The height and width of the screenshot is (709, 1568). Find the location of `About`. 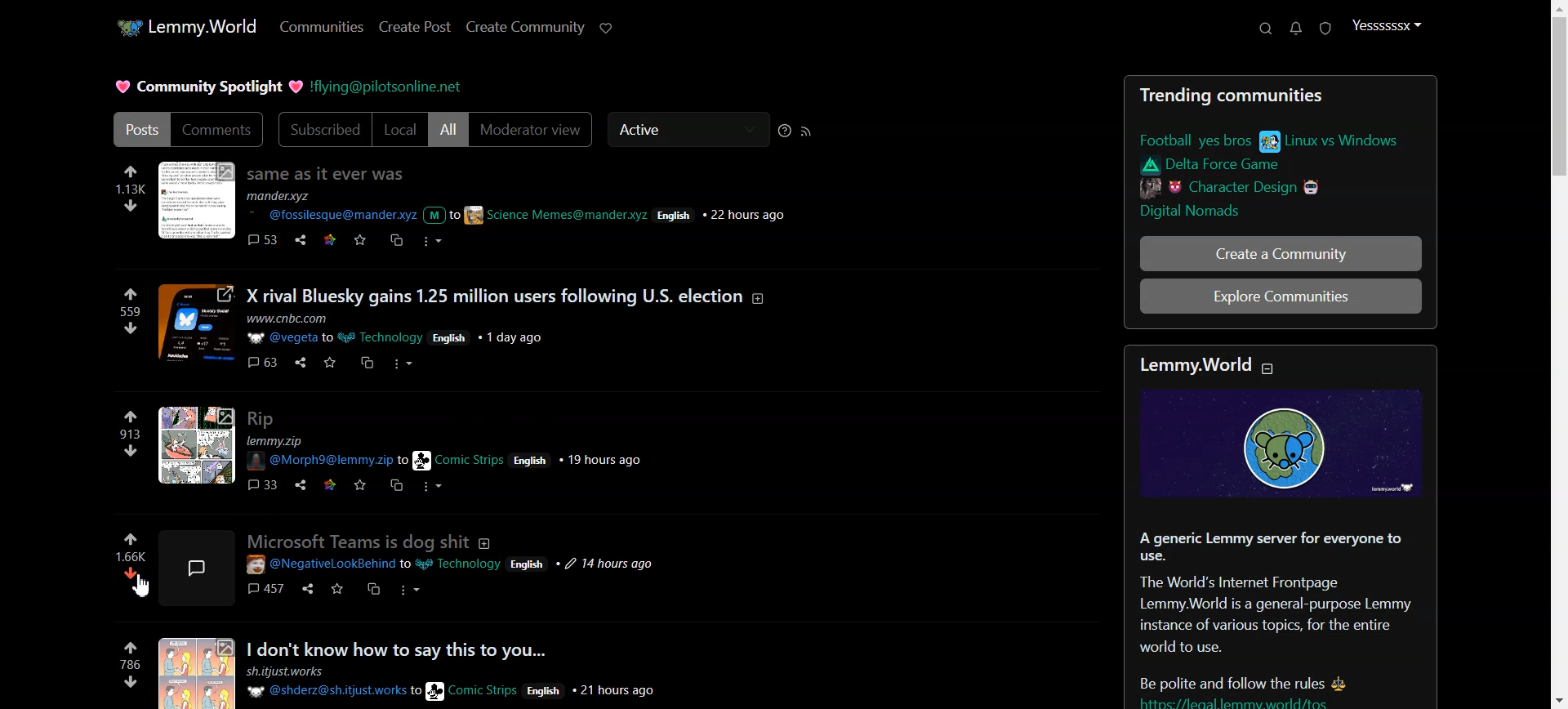

About is located at coordinates (485, 544).